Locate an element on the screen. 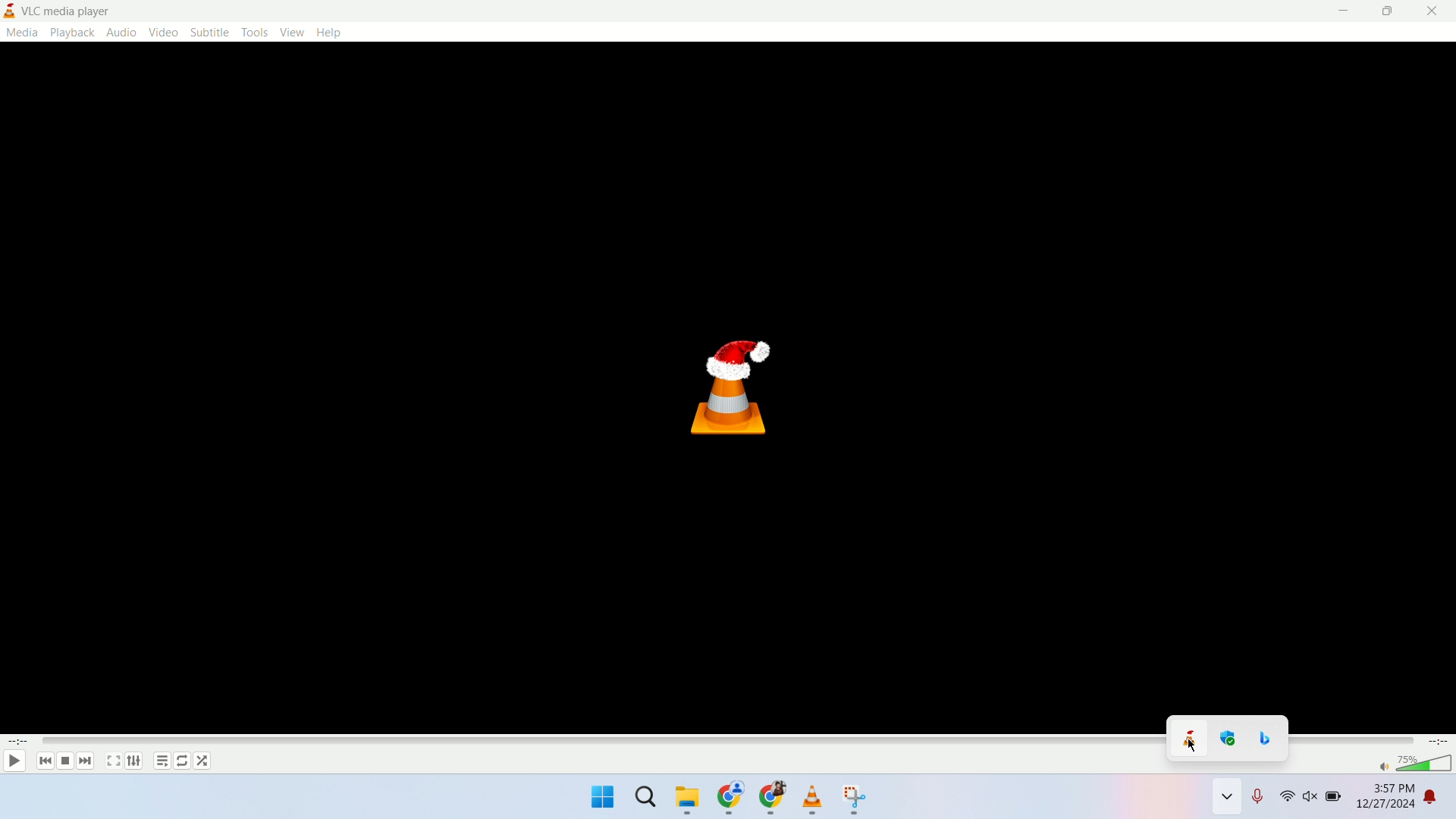  video is located at coordinates (162, 33).